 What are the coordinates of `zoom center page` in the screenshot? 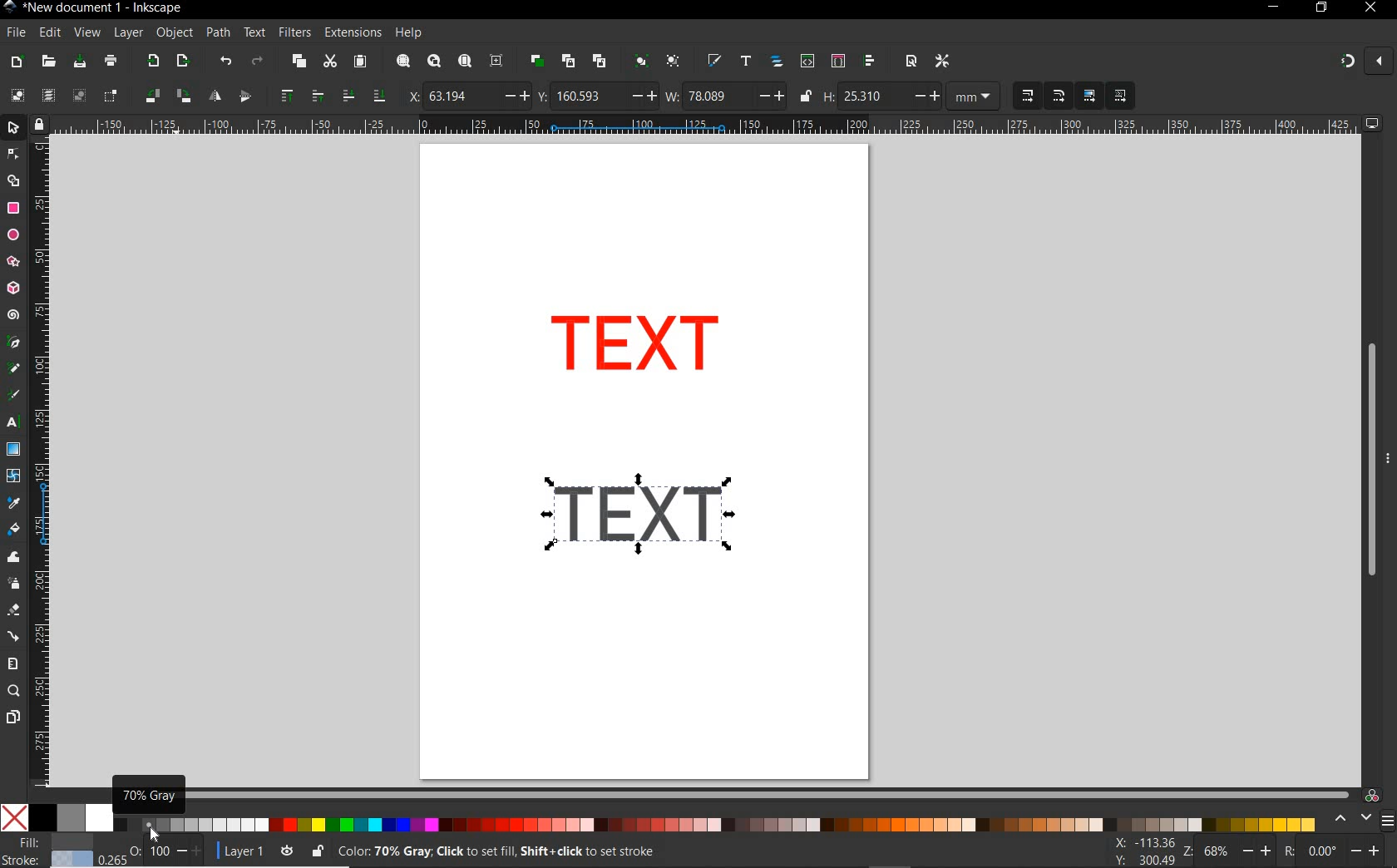 It's located at (500, 60).